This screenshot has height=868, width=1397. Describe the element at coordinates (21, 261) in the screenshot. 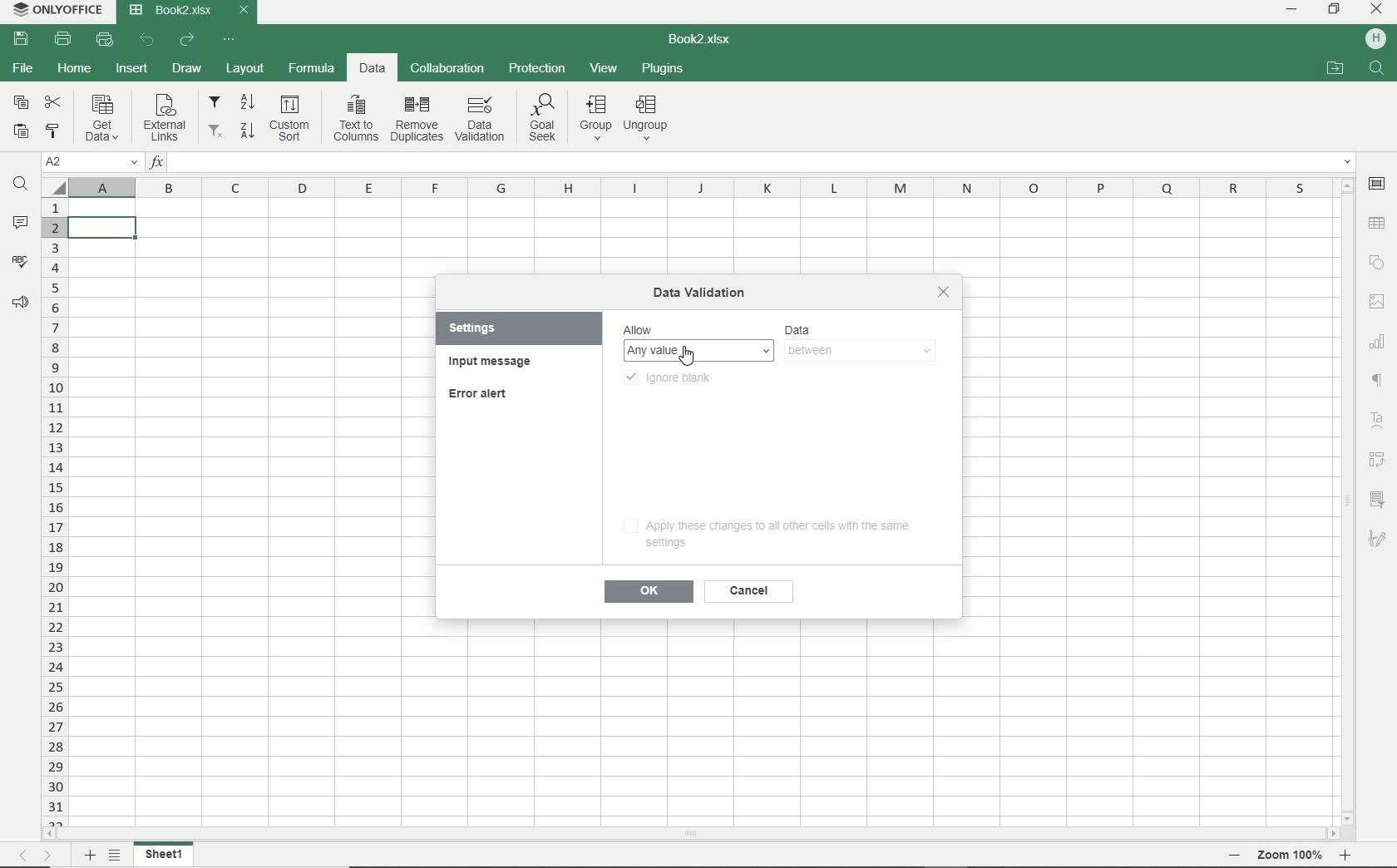

I see `SPELL CHECKING` at that location.